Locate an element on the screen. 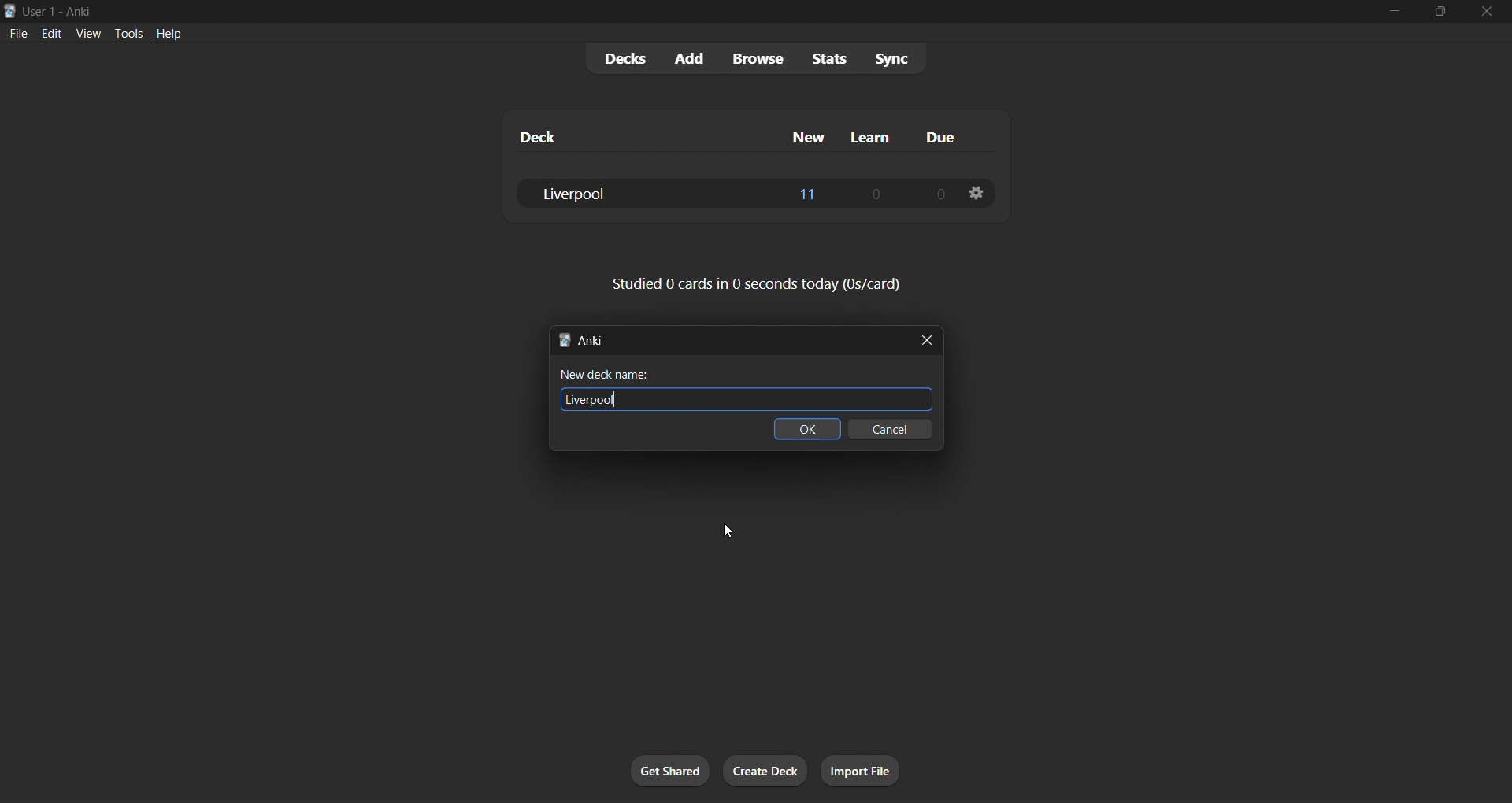 The height and width of the screenshot is (803, 1512). due column is located at coordinates (949, 139).